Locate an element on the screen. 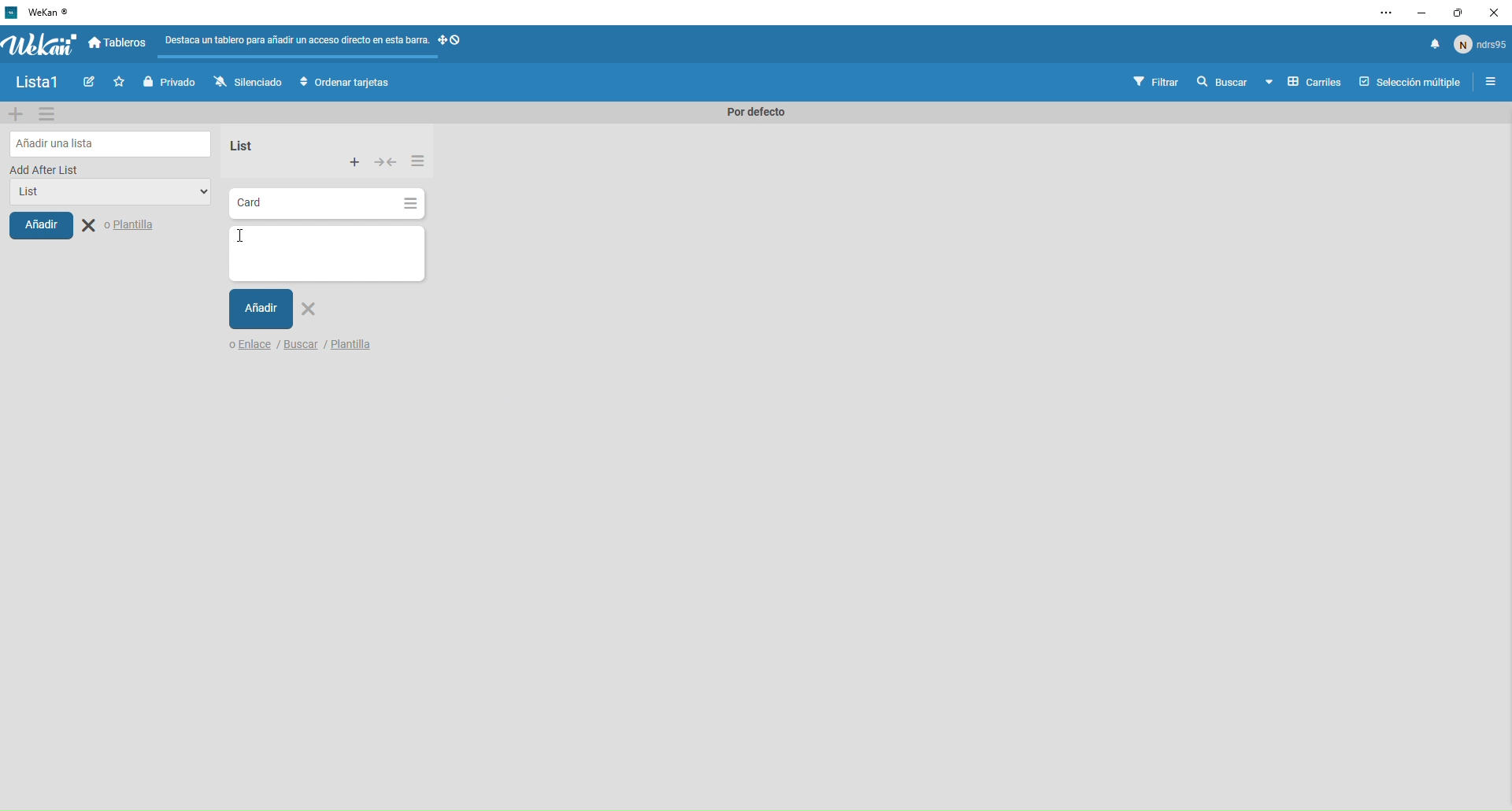 Image resolution: width=1512 pixels, height=811 pixels. Actions is located at coordinates (454, 45).